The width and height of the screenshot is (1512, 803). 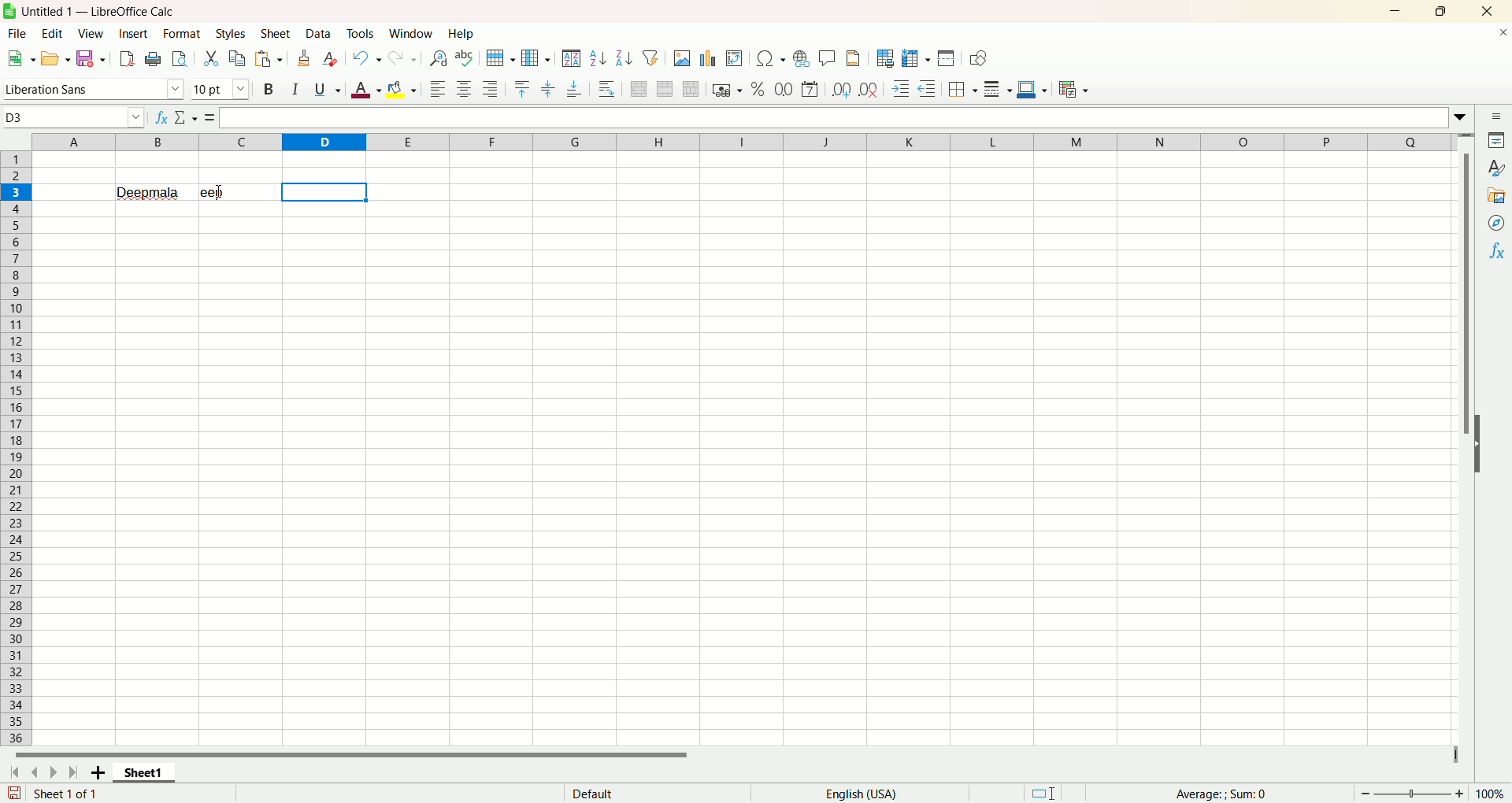 I want to click on save, so click(x=14, y=793).